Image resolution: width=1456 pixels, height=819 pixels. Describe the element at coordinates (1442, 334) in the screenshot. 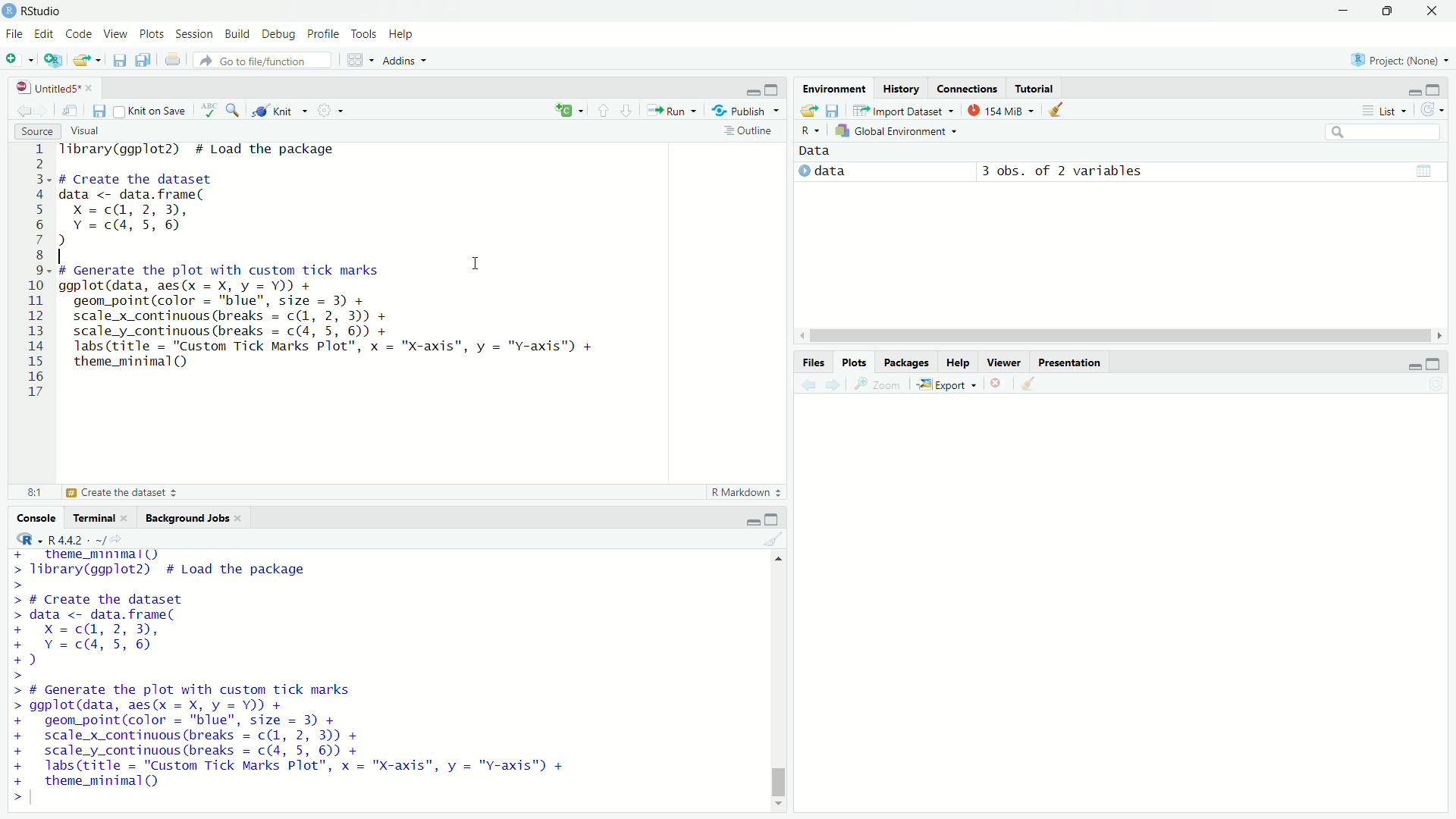

I see `move right` at that location.